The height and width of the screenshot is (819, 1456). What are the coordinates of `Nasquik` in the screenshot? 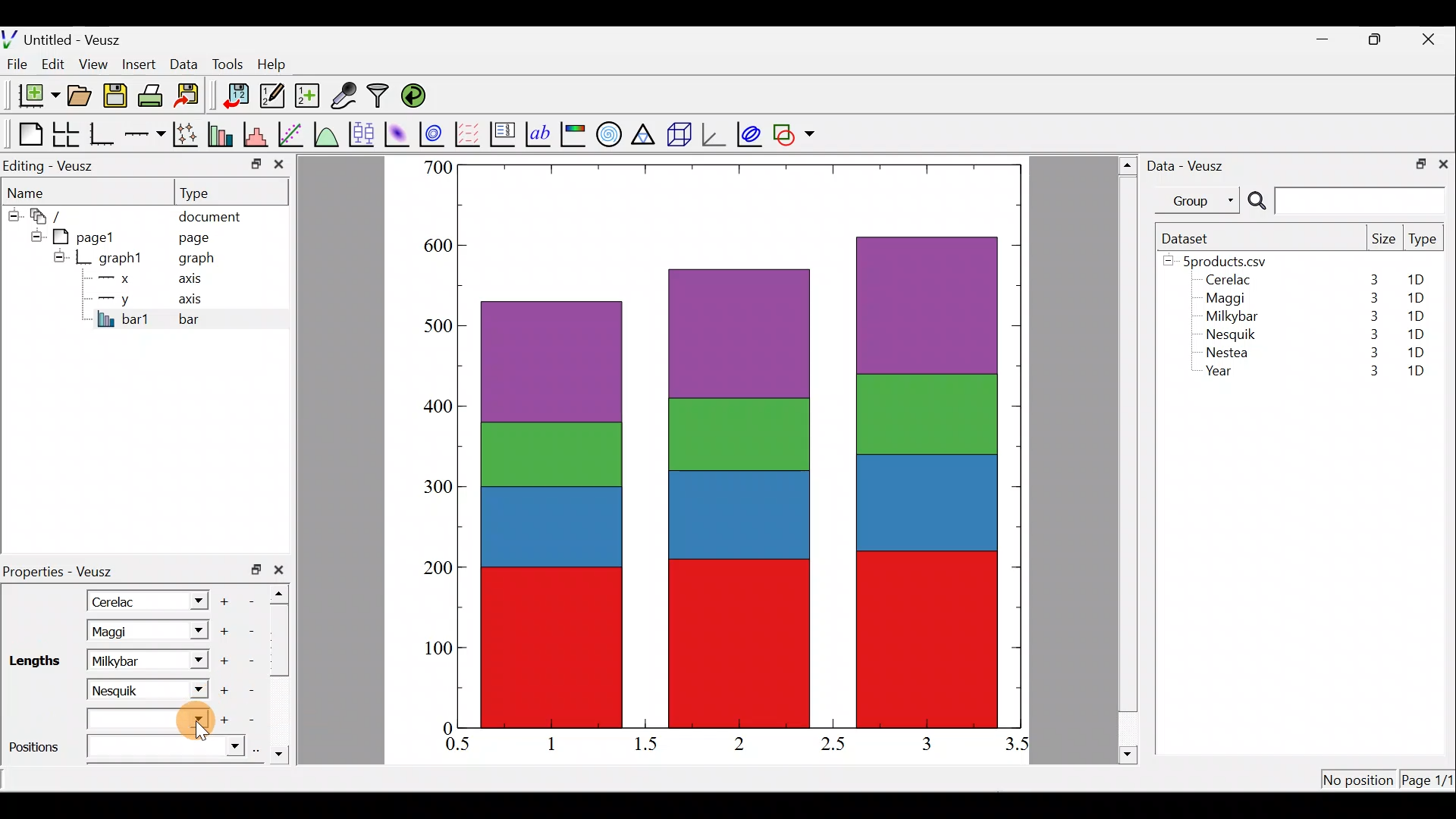 It's located at (126, 689).